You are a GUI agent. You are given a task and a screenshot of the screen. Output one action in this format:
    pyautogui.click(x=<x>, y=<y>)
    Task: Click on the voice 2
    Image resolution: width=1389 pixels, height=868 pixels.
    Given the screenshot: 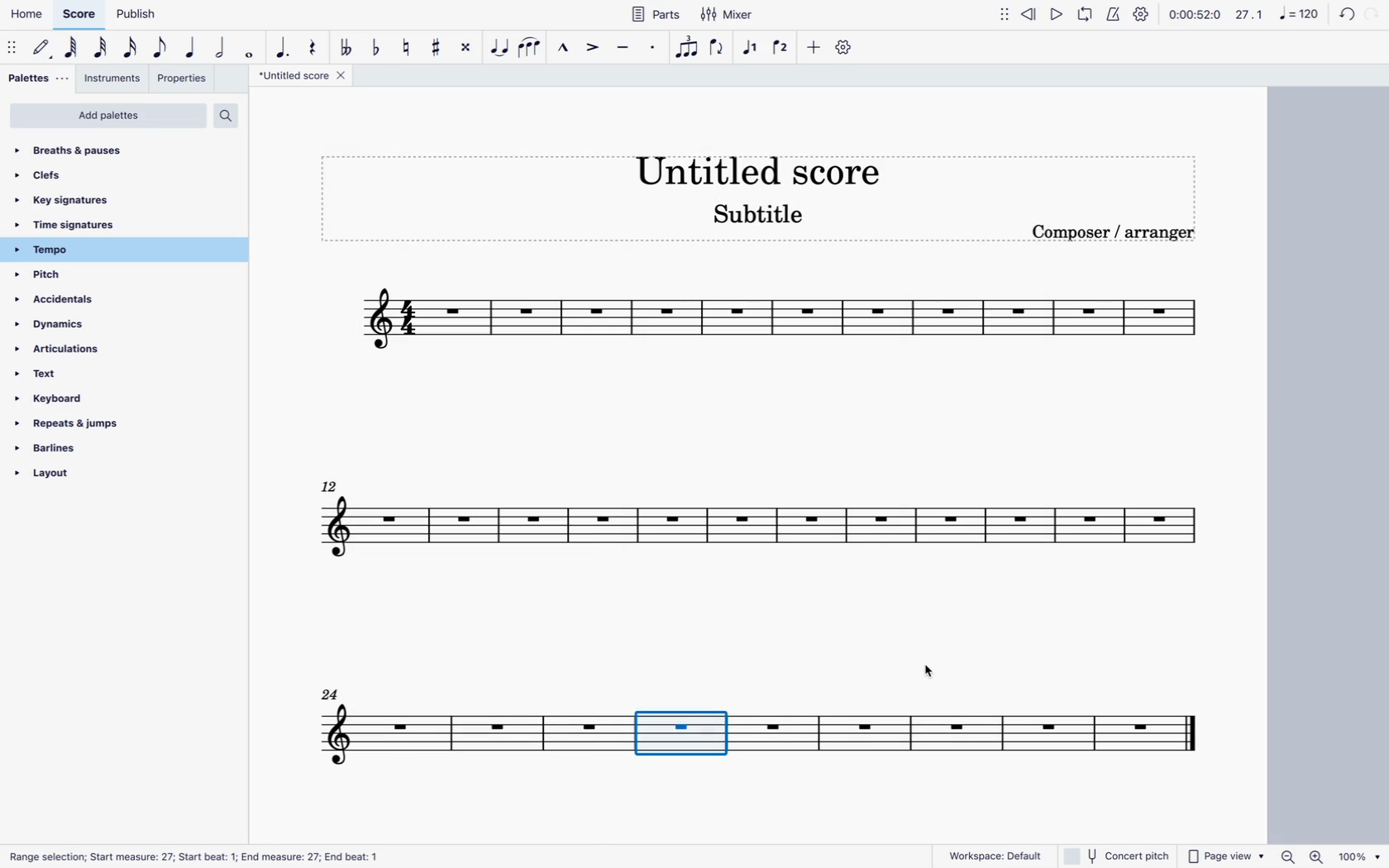 What is the action you would take?
    pyautogui.click(x=783, y=43)
    